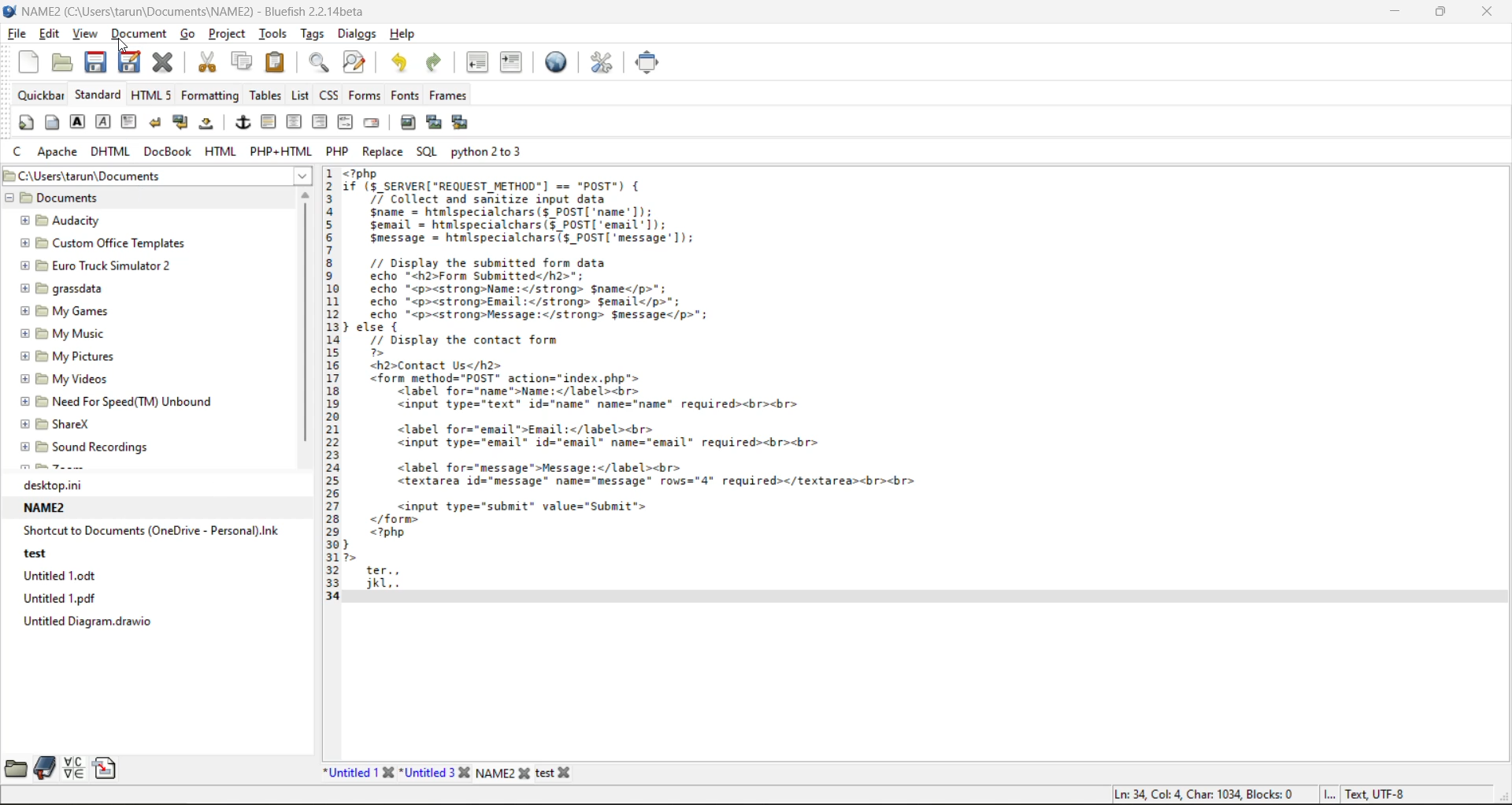 Image resolution: width=1512 pixels, height=805 pixels. Describe the element at coordinates (302, 97) in the screenshot. I see `list` at that location.